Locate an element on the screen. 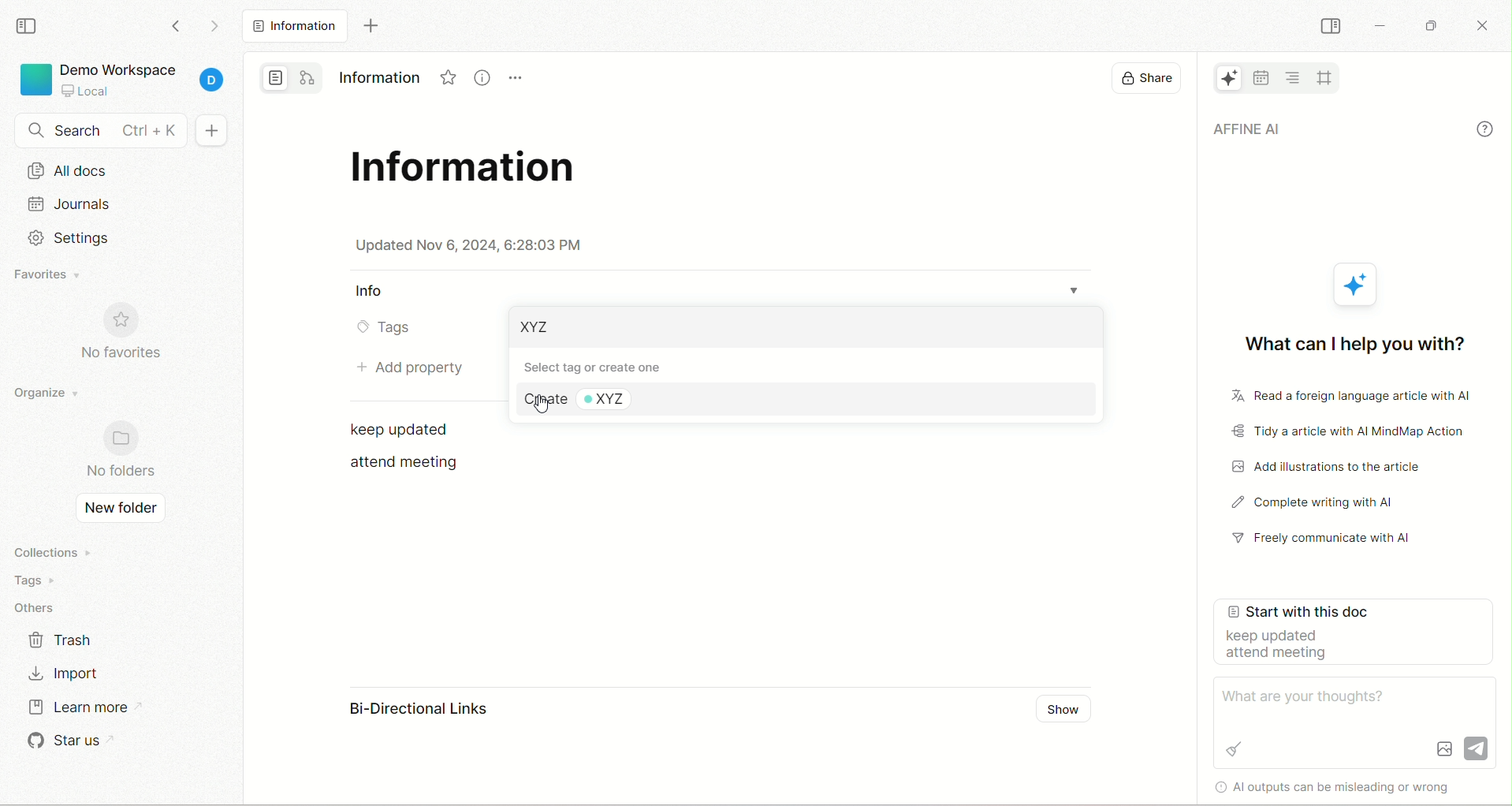 The height and width of the screenshot is (806, 1512). search is located at coordinates (95, 131).